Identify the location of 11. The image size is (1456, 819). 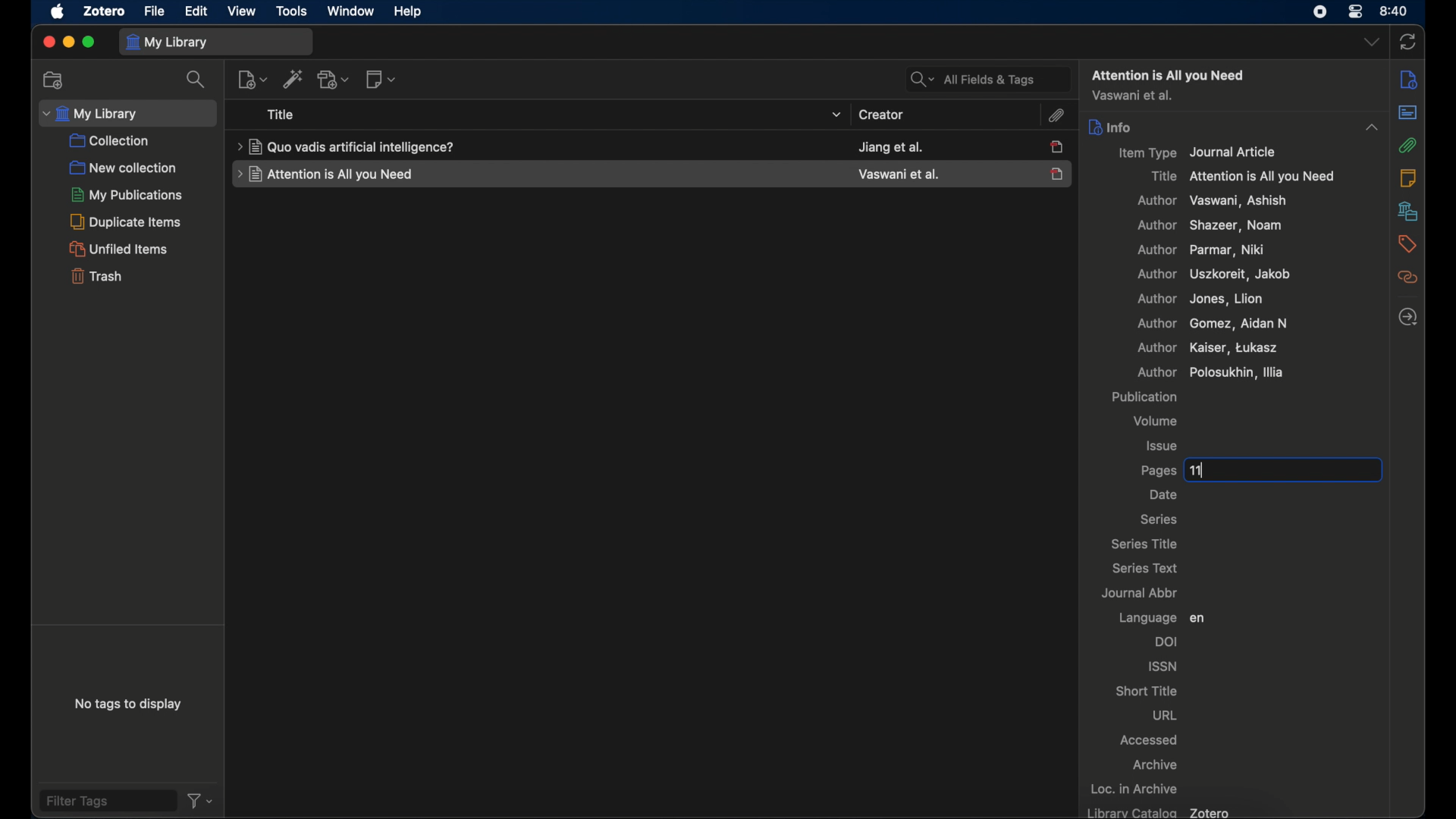
(1197, 470).